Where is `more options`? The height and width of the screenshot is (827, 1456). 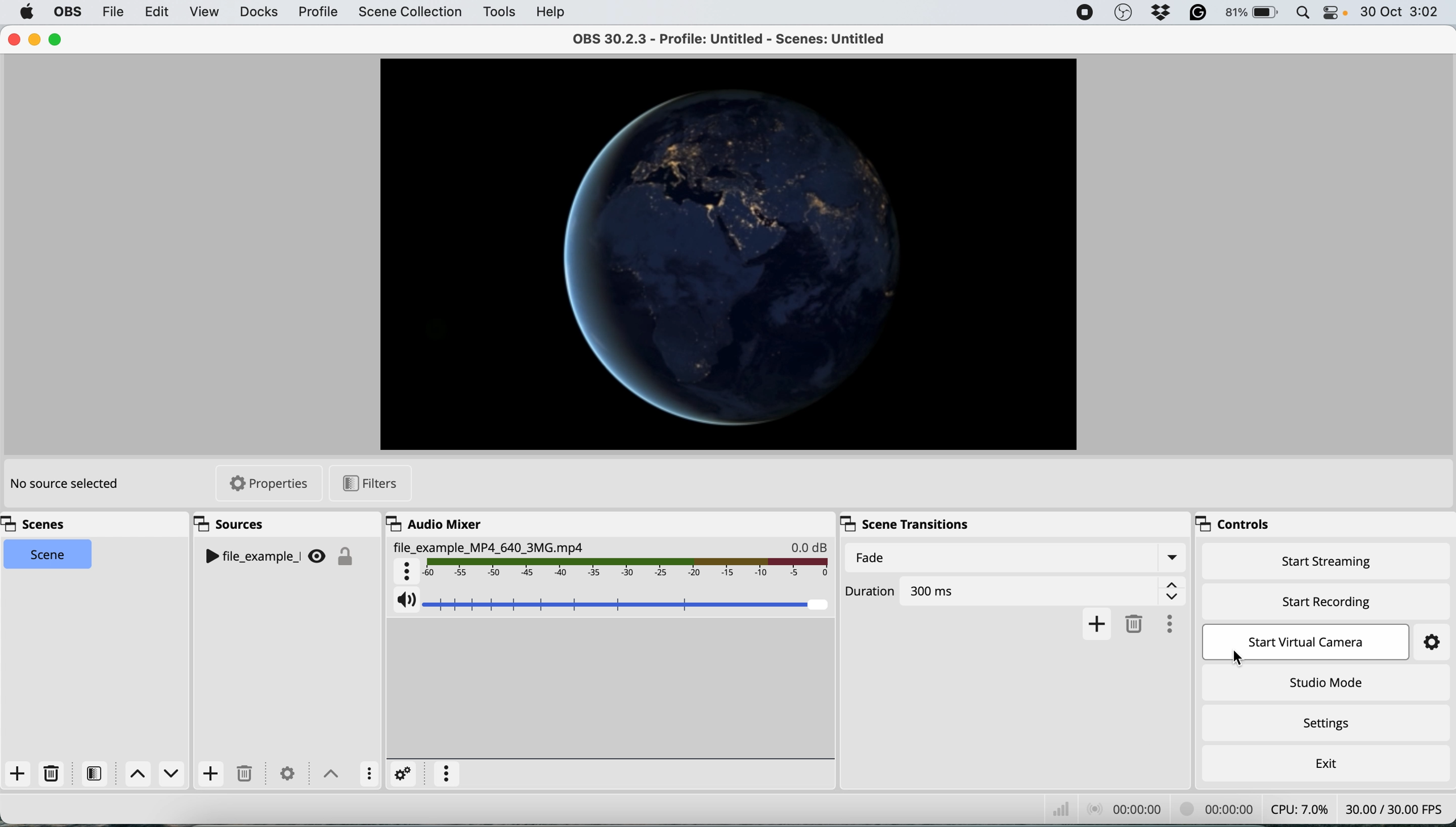 more options is located at coordinates (446, 772).